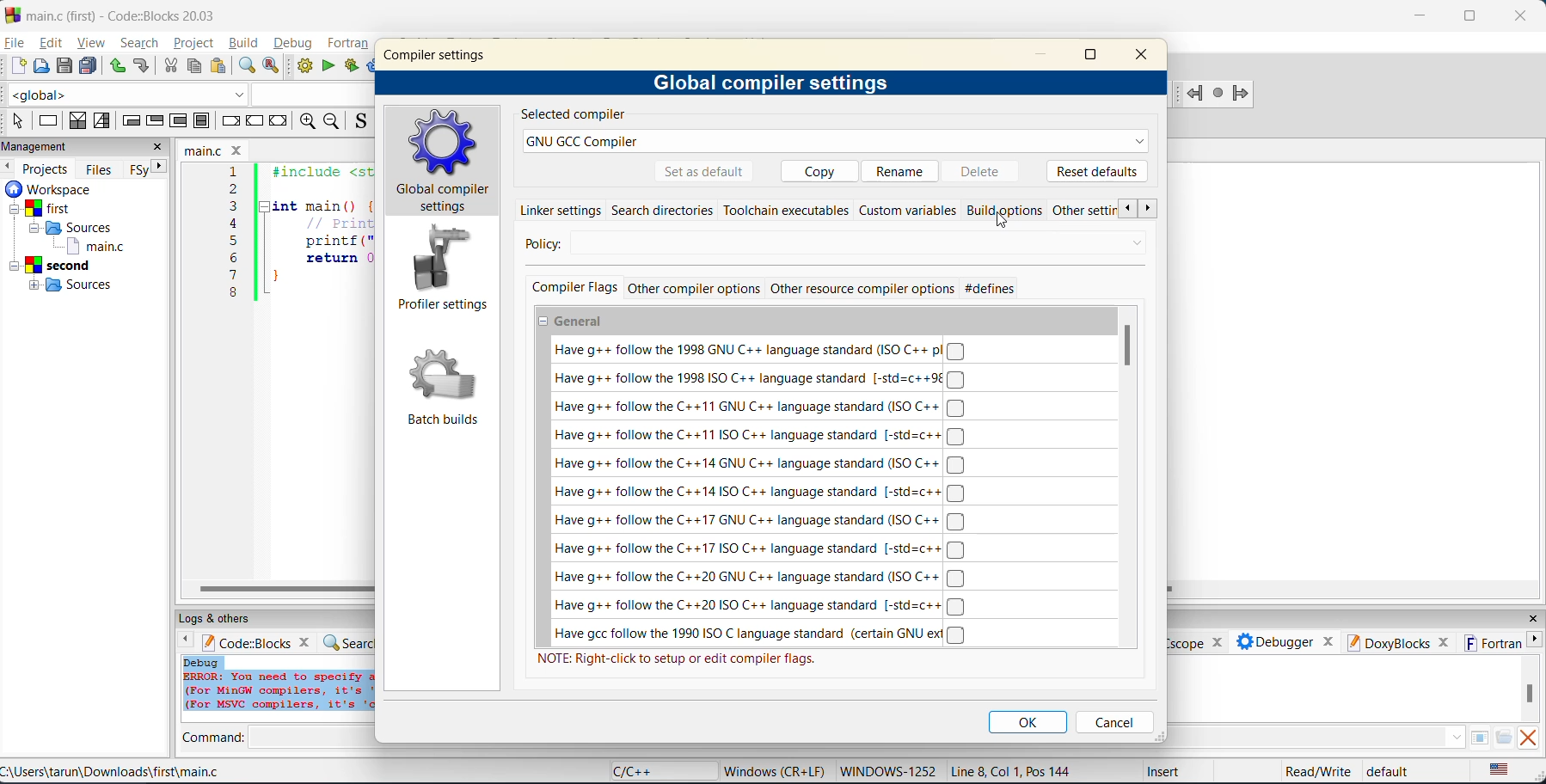 This screenshot has width=1546, height=784. I want to click on toolchain executables, so click(786, 211).